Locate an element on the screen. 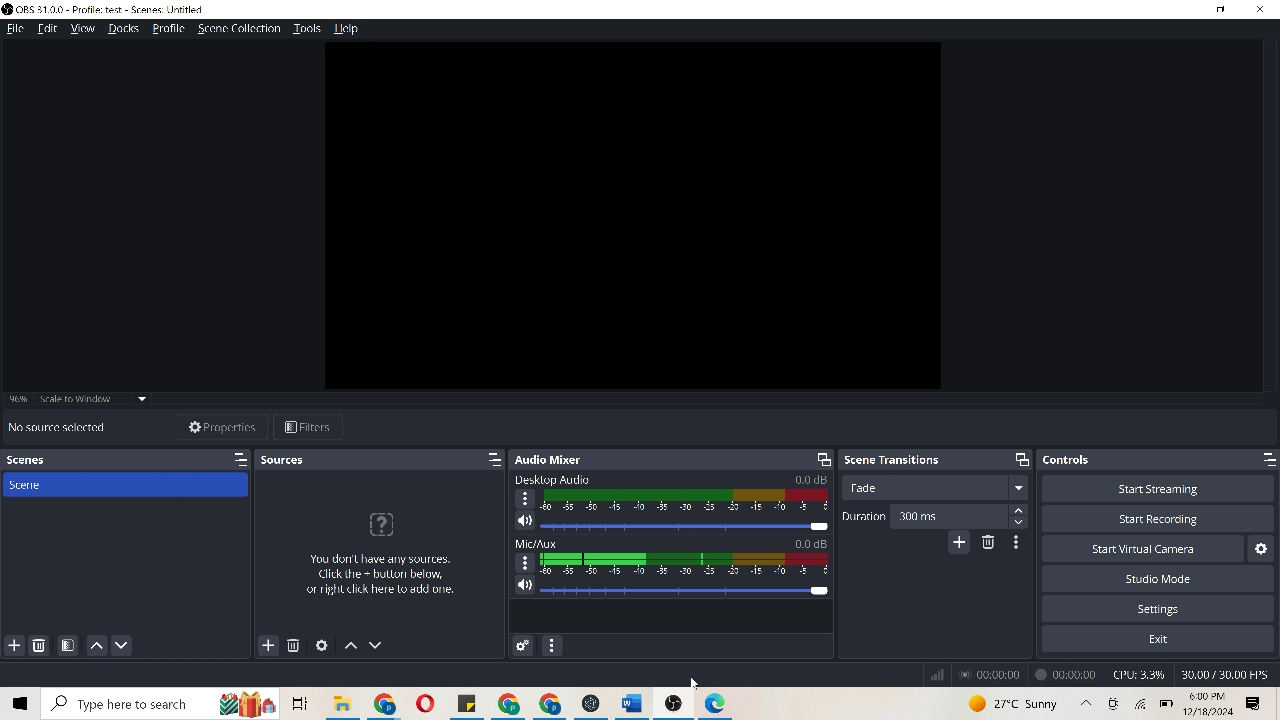  word is located at coordinates (641, 701).